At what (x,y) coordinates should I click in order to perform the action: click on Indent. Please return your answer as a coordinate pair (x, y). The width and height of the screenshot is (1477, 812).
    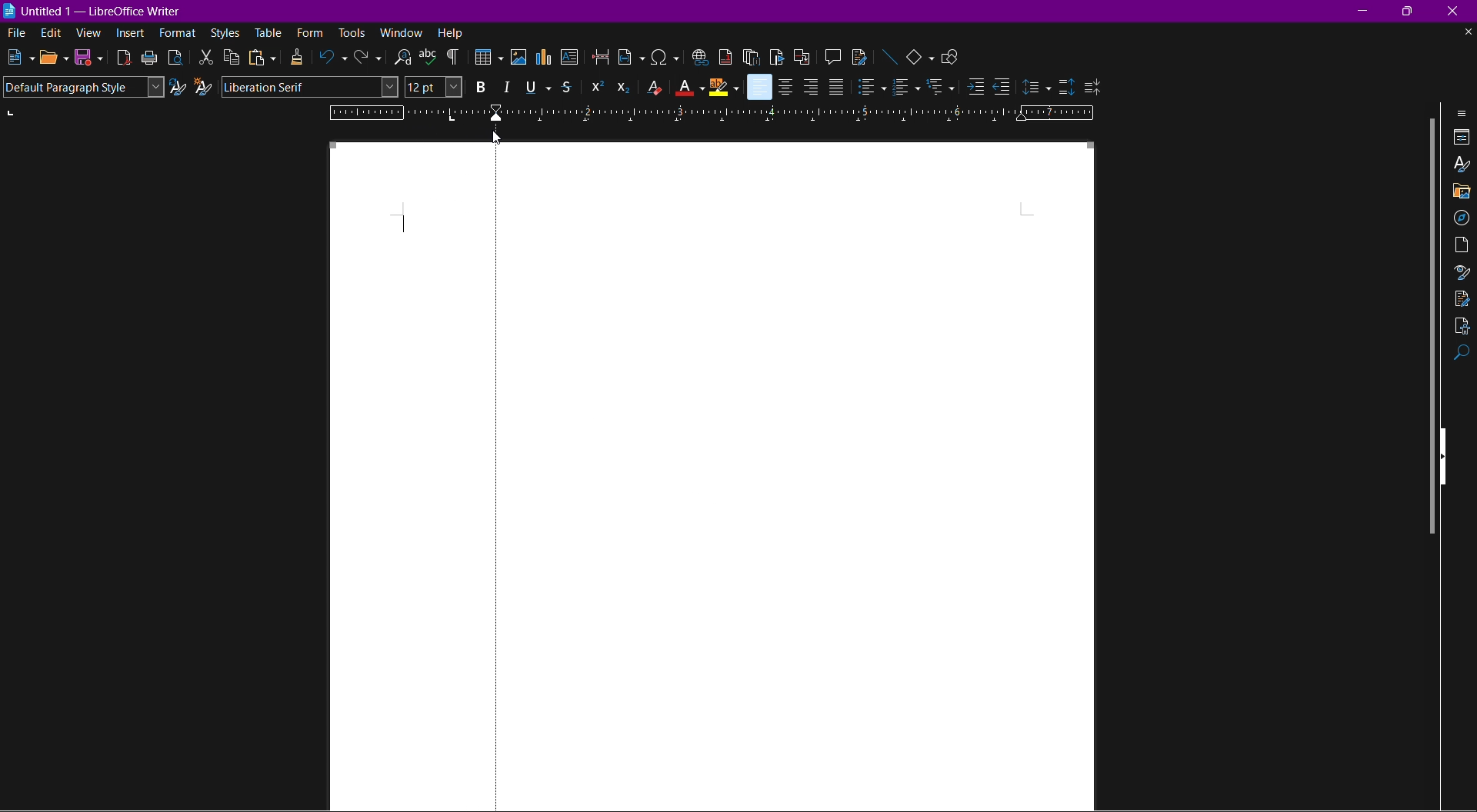
    Looking at the image, I should click on (453, 58).